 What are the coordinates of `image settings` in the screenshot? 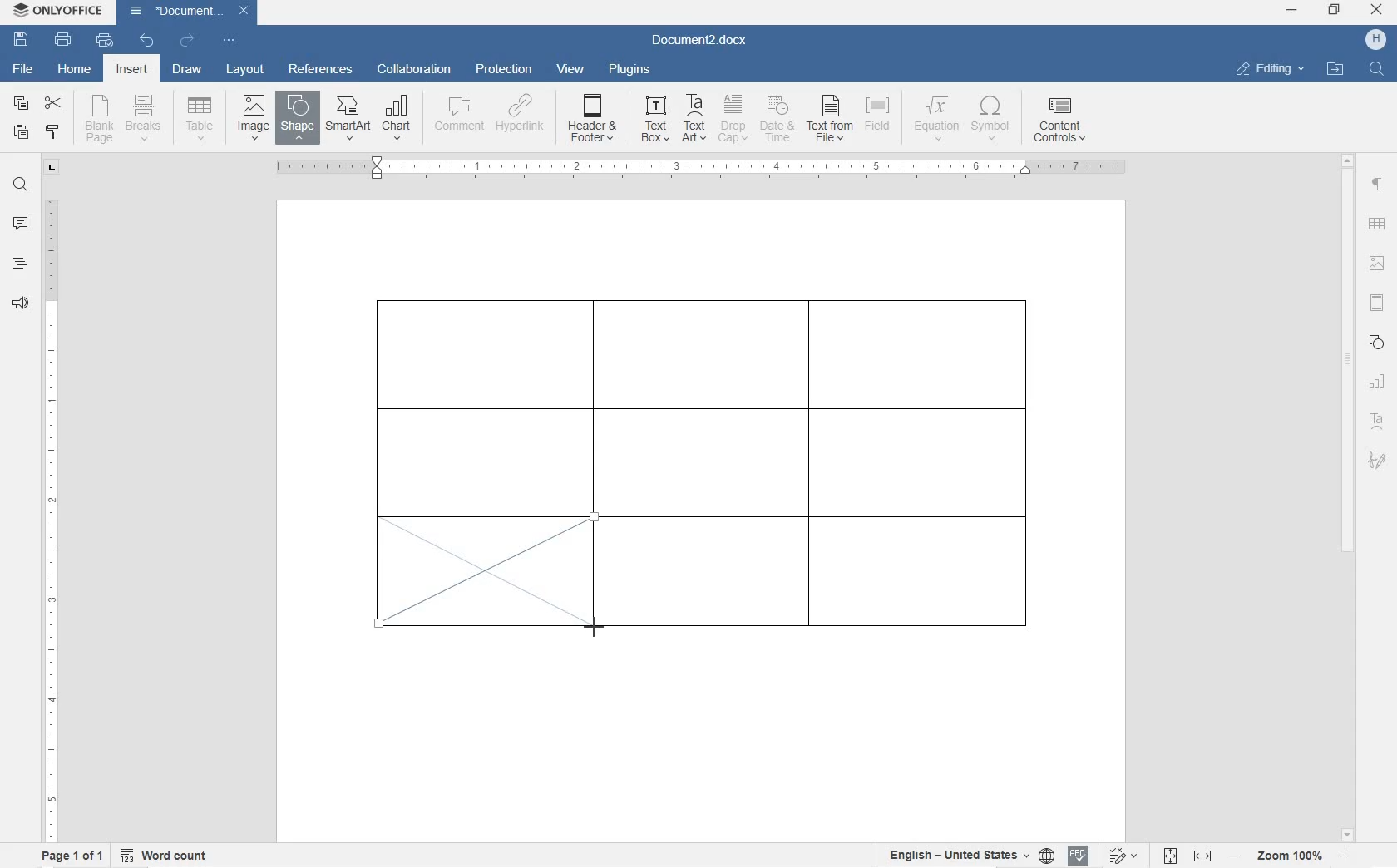 It's located at (1376, 264).